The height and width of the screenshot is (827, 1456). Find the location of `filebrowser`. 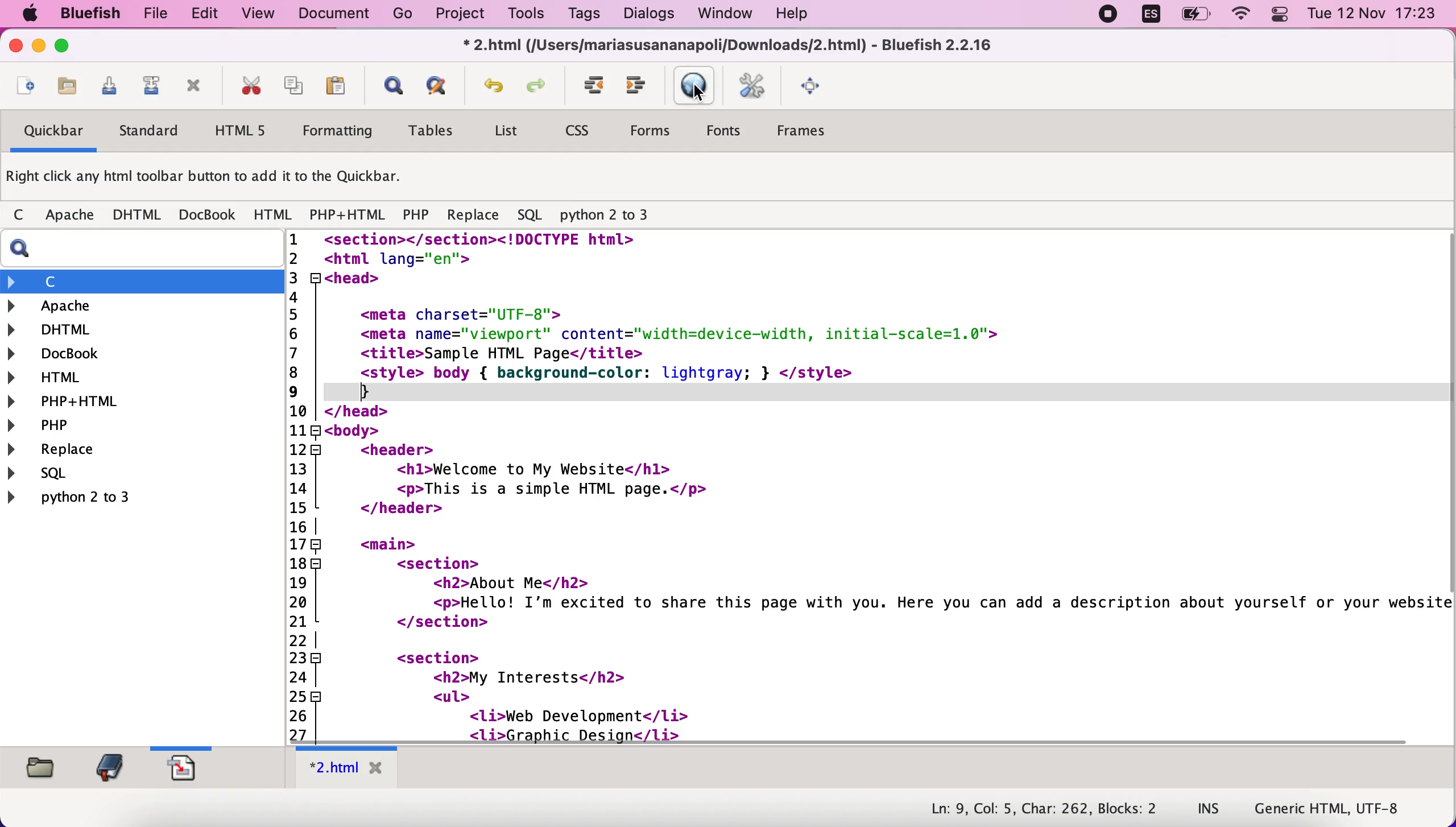

filebrowser is located at coordinates (43, 767).